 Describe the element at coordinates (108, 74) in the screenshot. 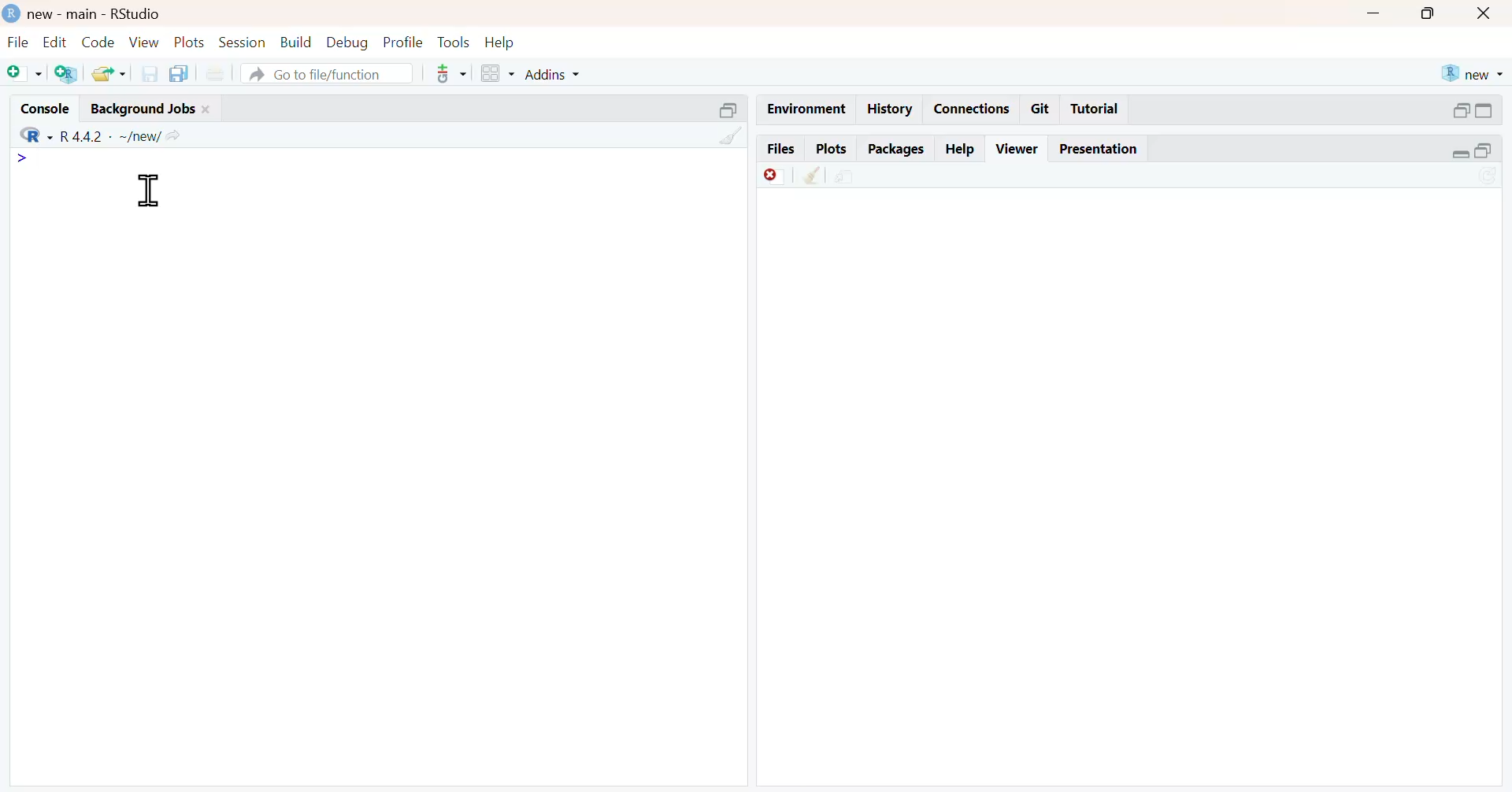

I see `open an existing file` at that location.